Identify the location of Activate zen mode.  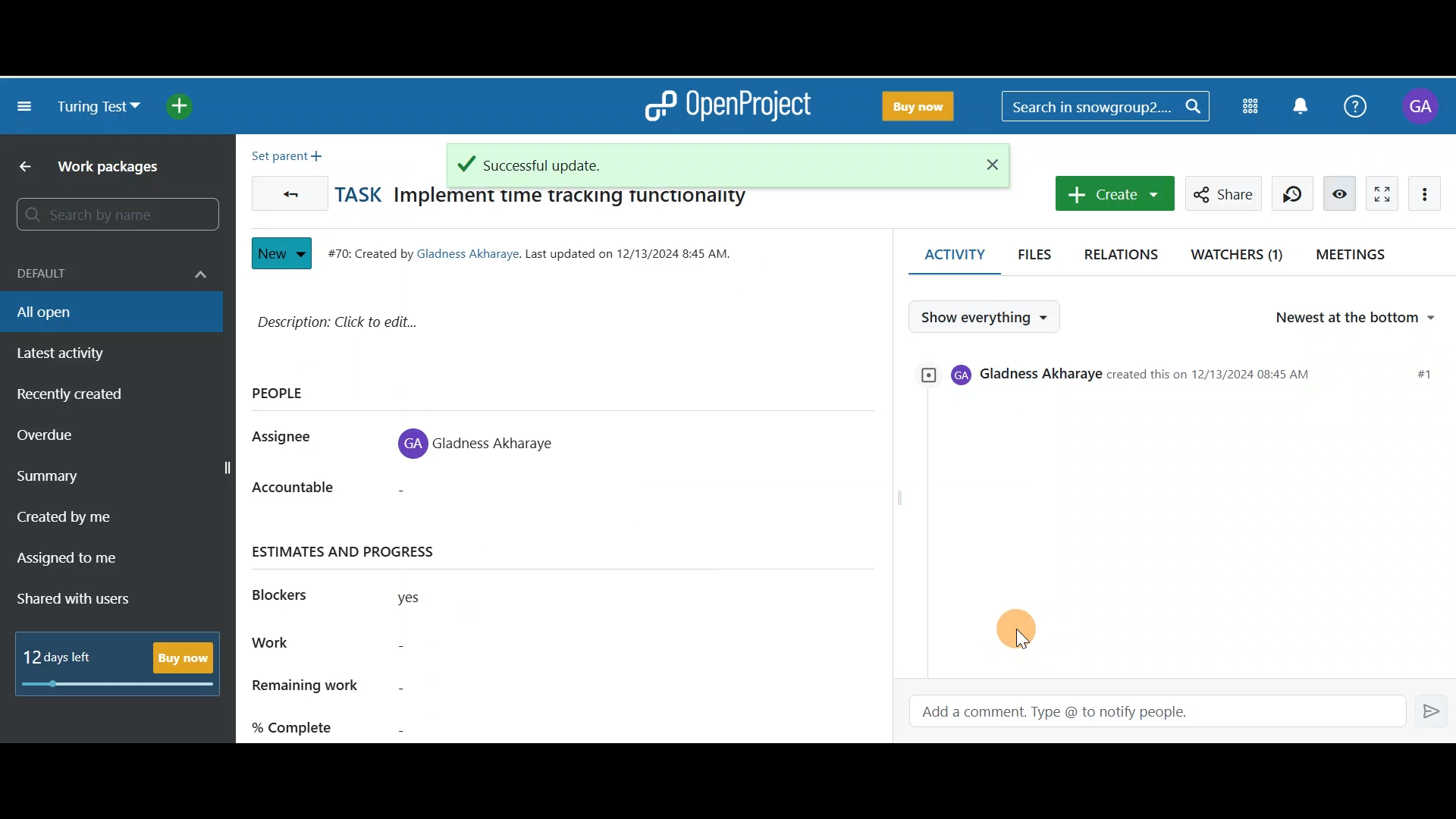
(1378, 191).